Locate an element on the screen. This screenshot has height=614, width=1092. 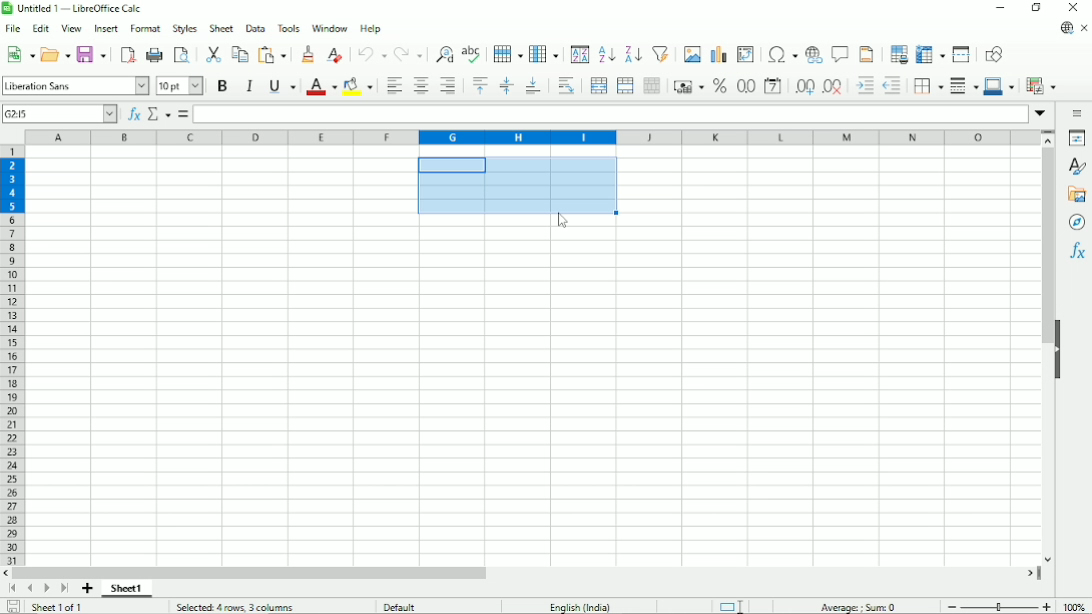
Align left is located at coordinates (394, 86).